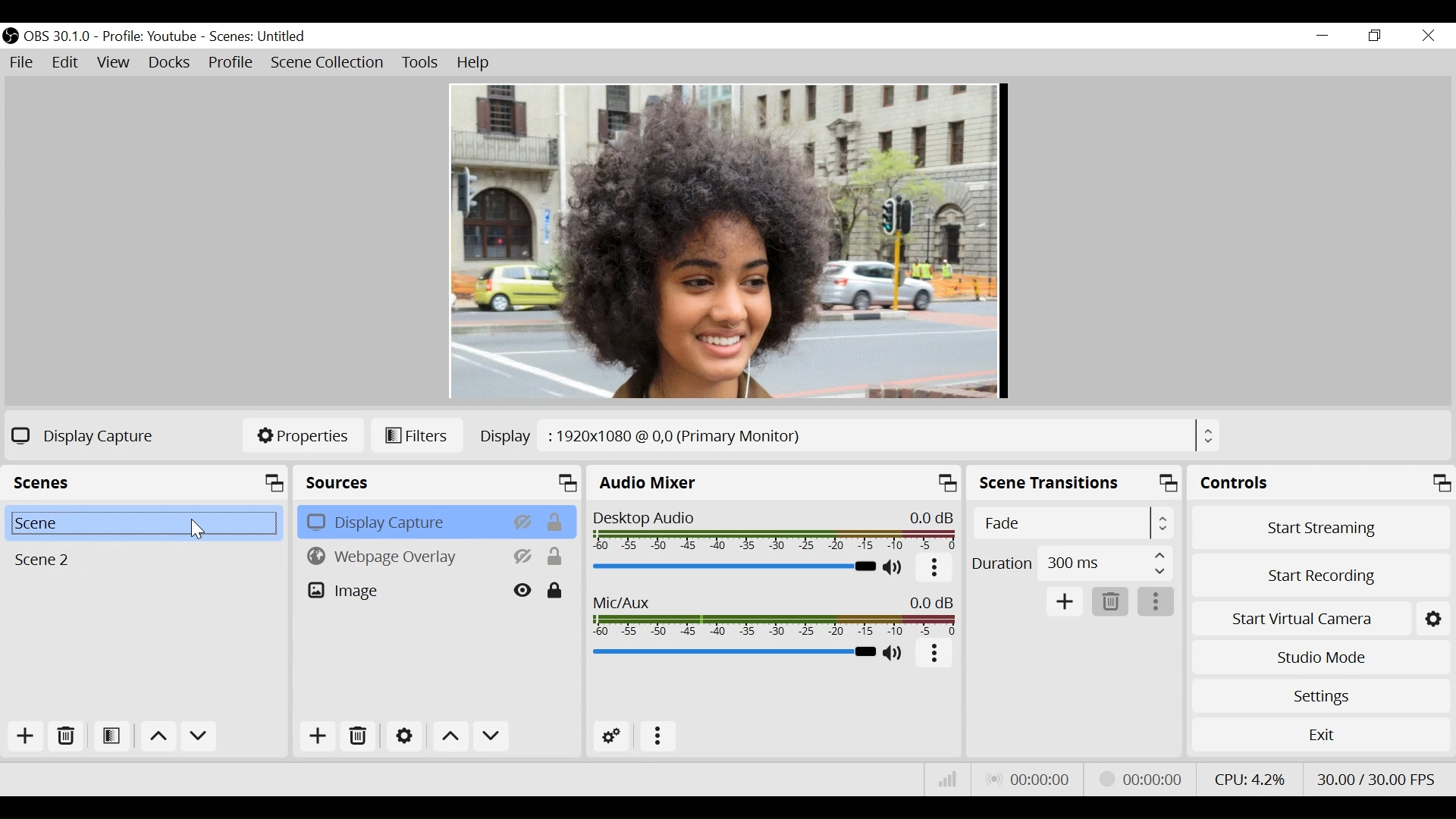  I want to click on Exit, so click(1317, 736).